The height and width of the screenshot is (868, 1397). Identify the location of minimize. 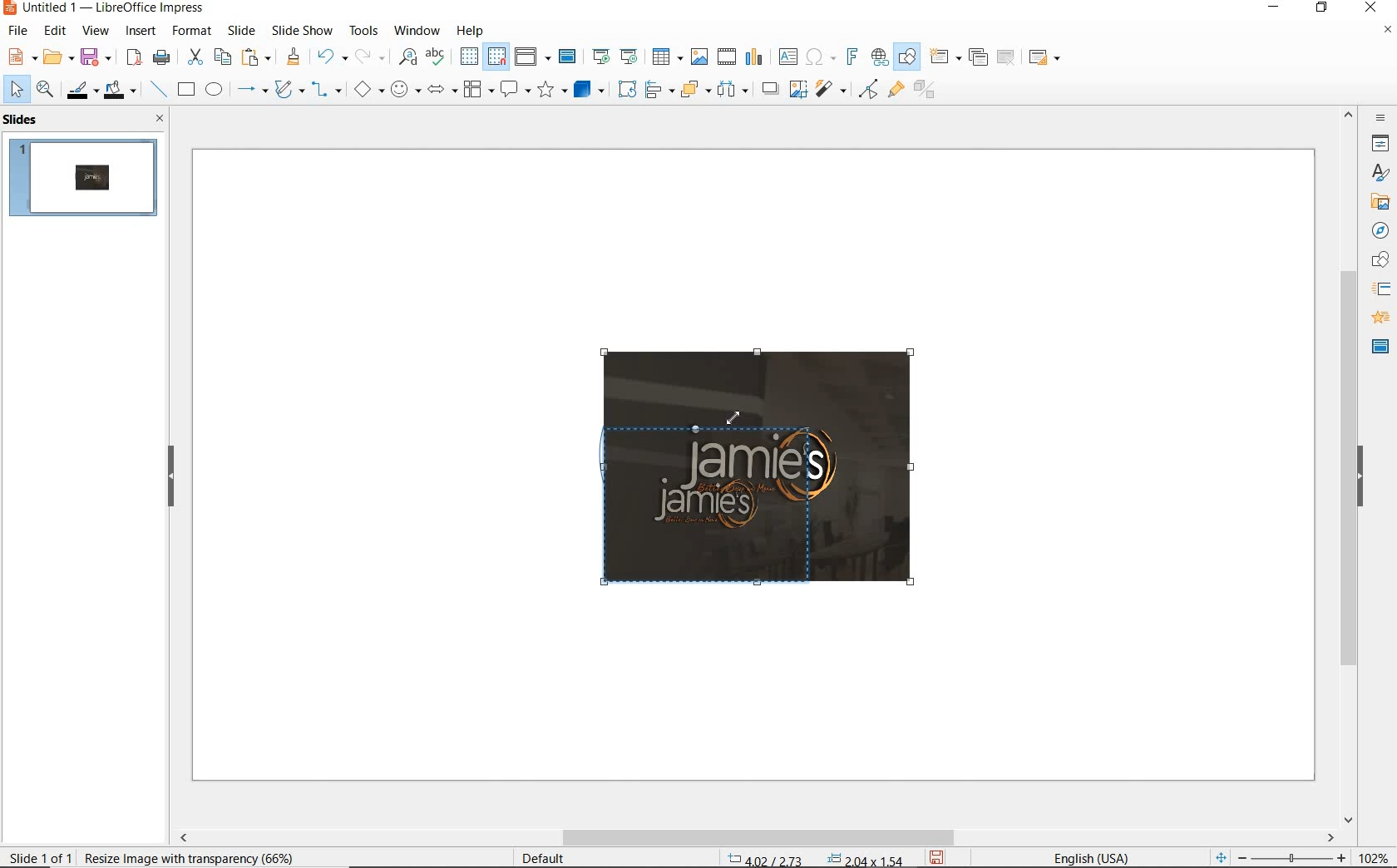
(1276, 9).